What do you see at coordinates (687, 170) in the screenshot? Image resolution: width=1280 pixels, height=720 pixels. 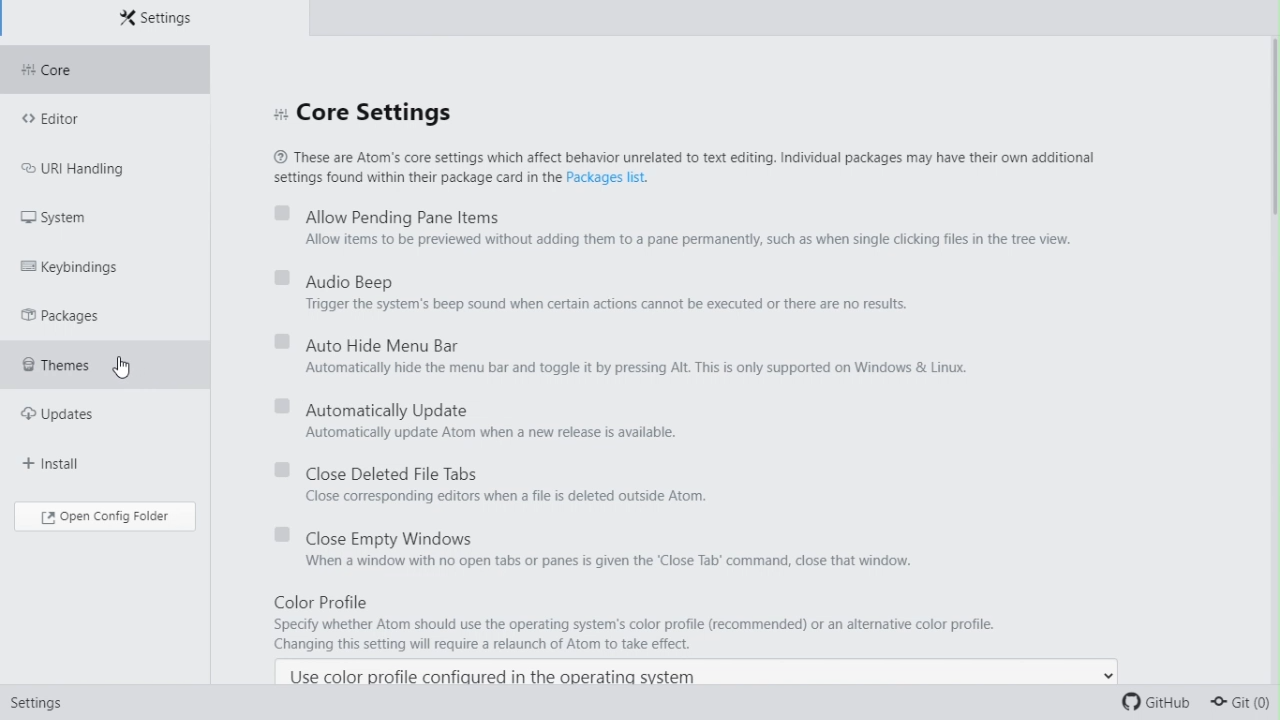 I see `Text` at bounding box center [687, 170].